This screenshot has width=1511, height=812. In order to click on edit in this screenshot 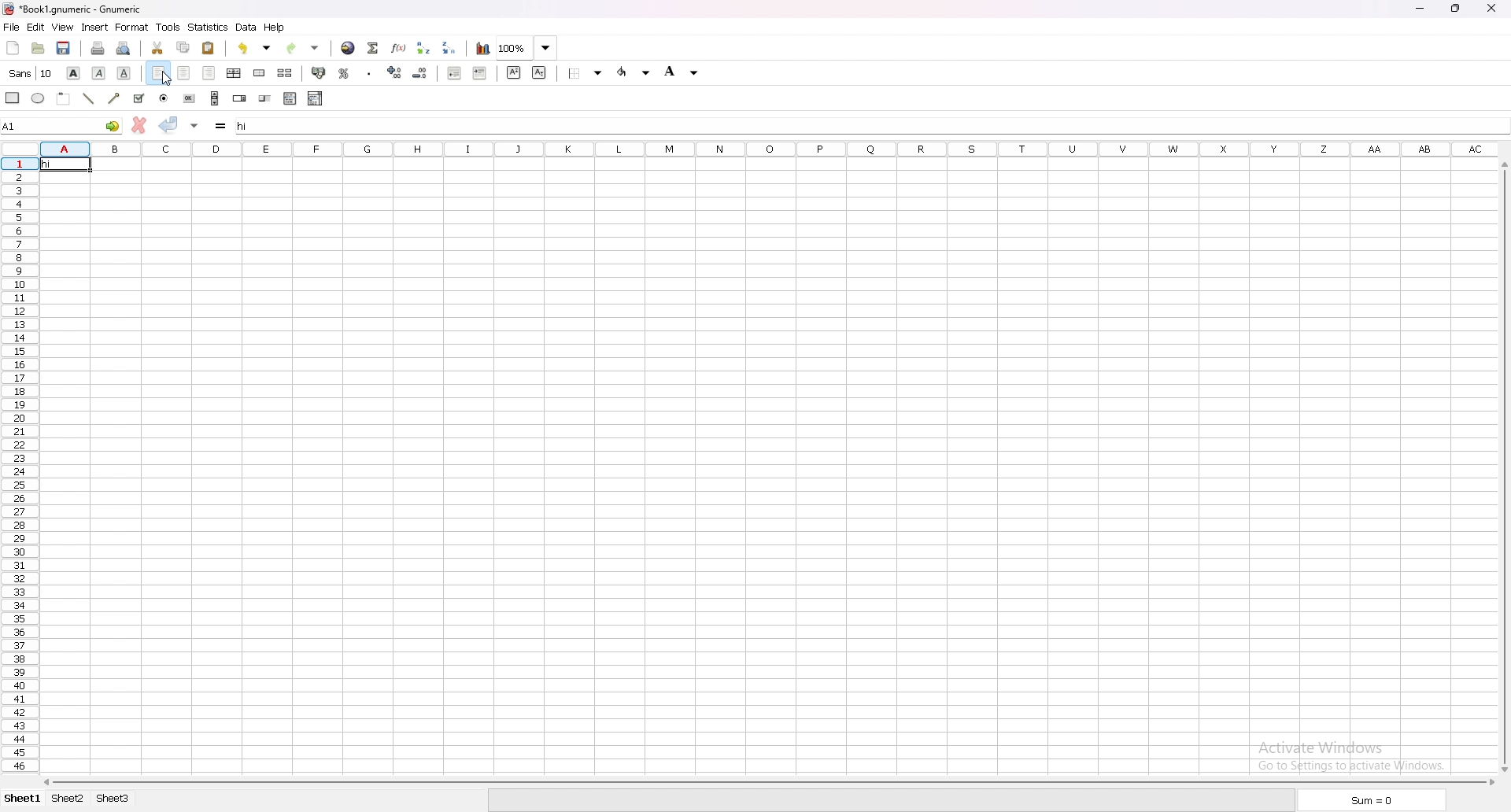, I will do `click(35, 27)`.